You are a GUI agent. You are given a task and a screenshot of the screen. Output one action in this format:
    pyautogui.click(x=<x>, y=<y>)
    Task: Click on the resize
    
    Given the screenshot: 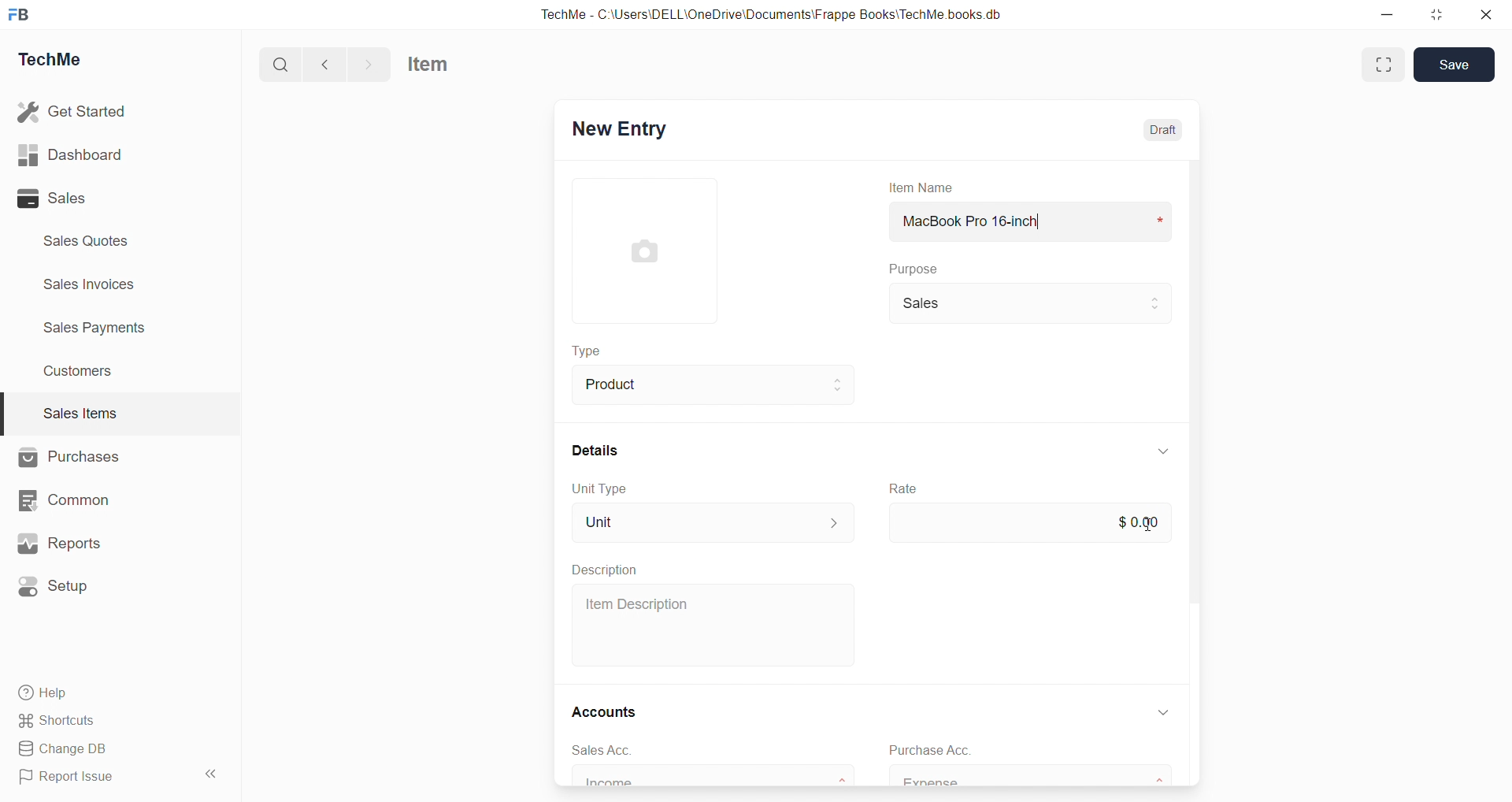 What is the action you would take?
    pyautogui.click(x=1436, y=15)
    